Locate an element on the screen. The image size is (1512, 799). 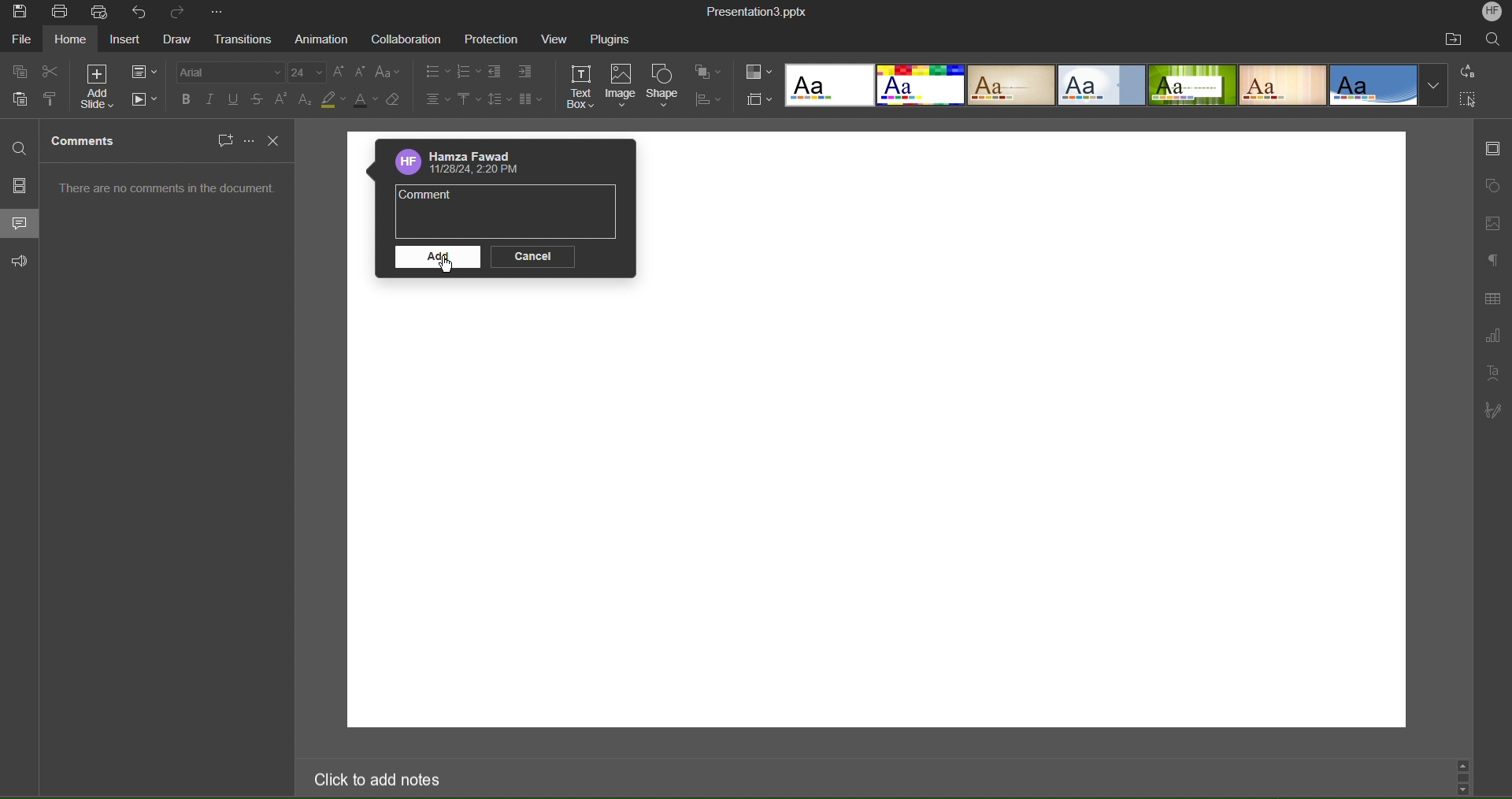
Save Image is located at coordinates (20, 13).